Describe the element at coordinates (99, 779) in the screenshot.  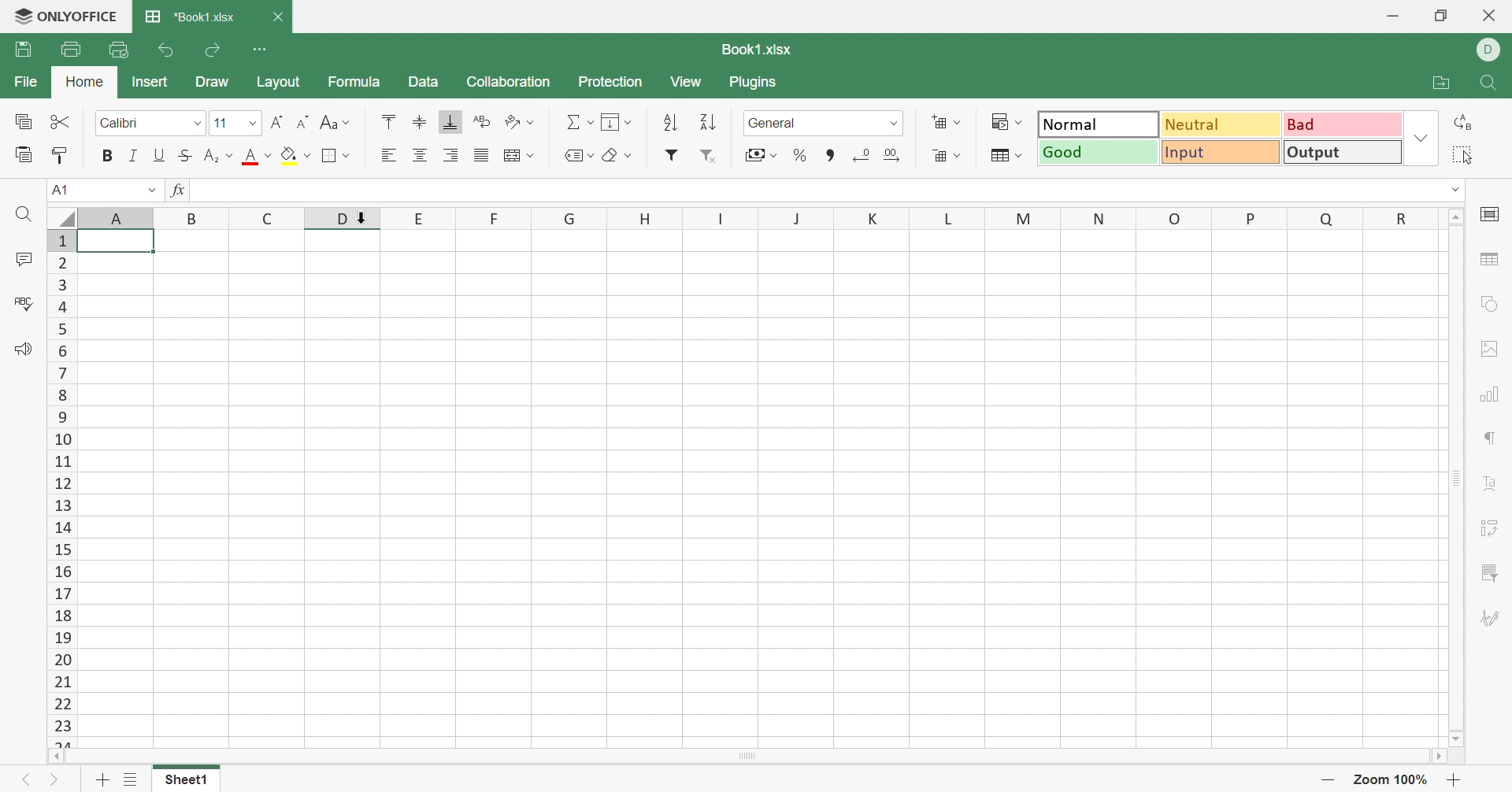
I see `Add sheet` at that location.